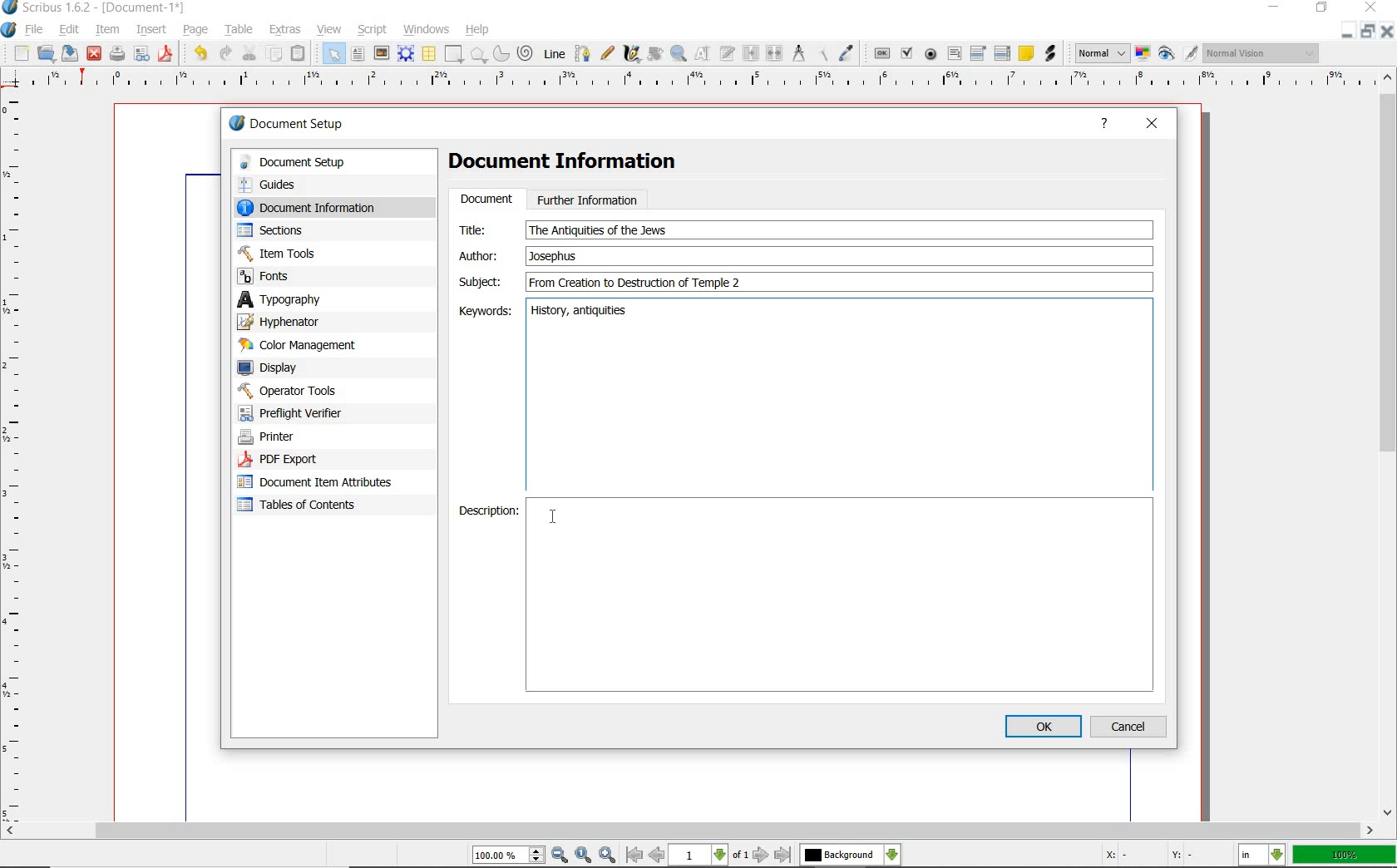 The height and width of the screenshot is (868, 1397). Describe the element at coordinates (1131, 726) in the screenshot. I see `cancel` at that location.